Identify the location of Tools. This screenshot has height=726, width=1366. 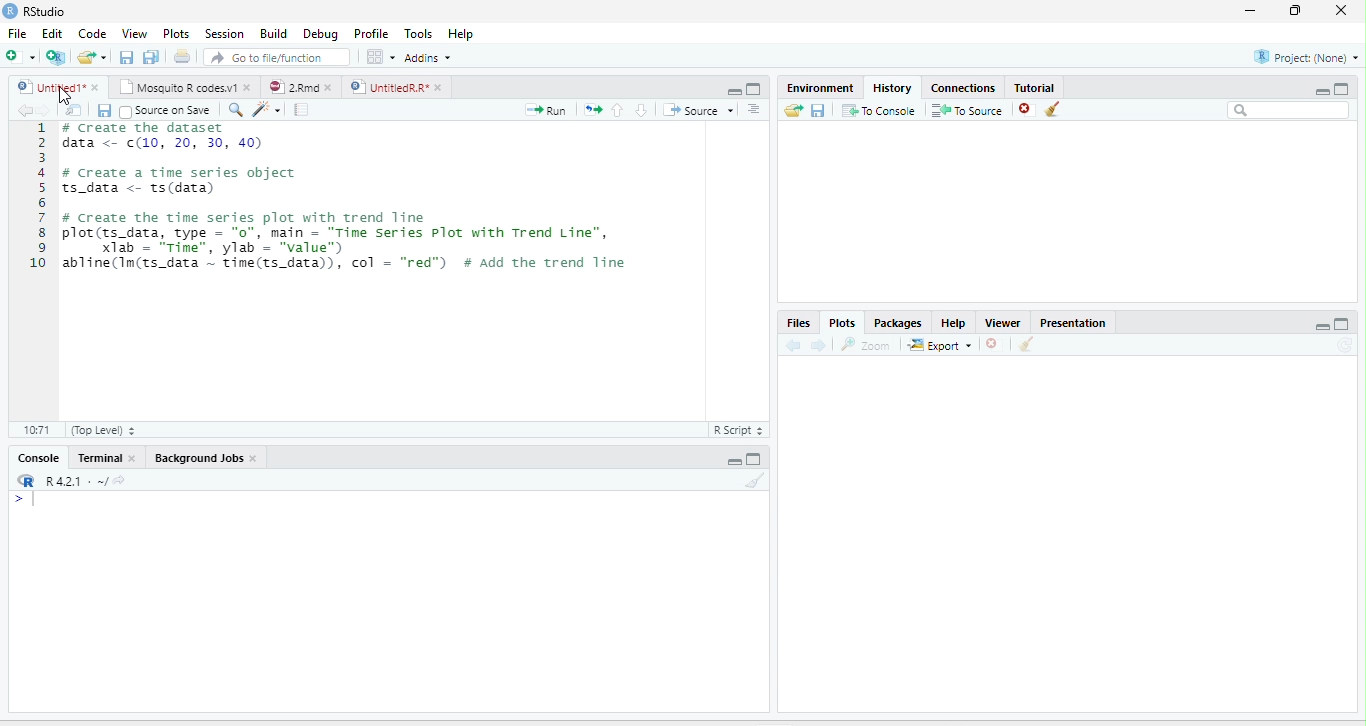
(417, 33).